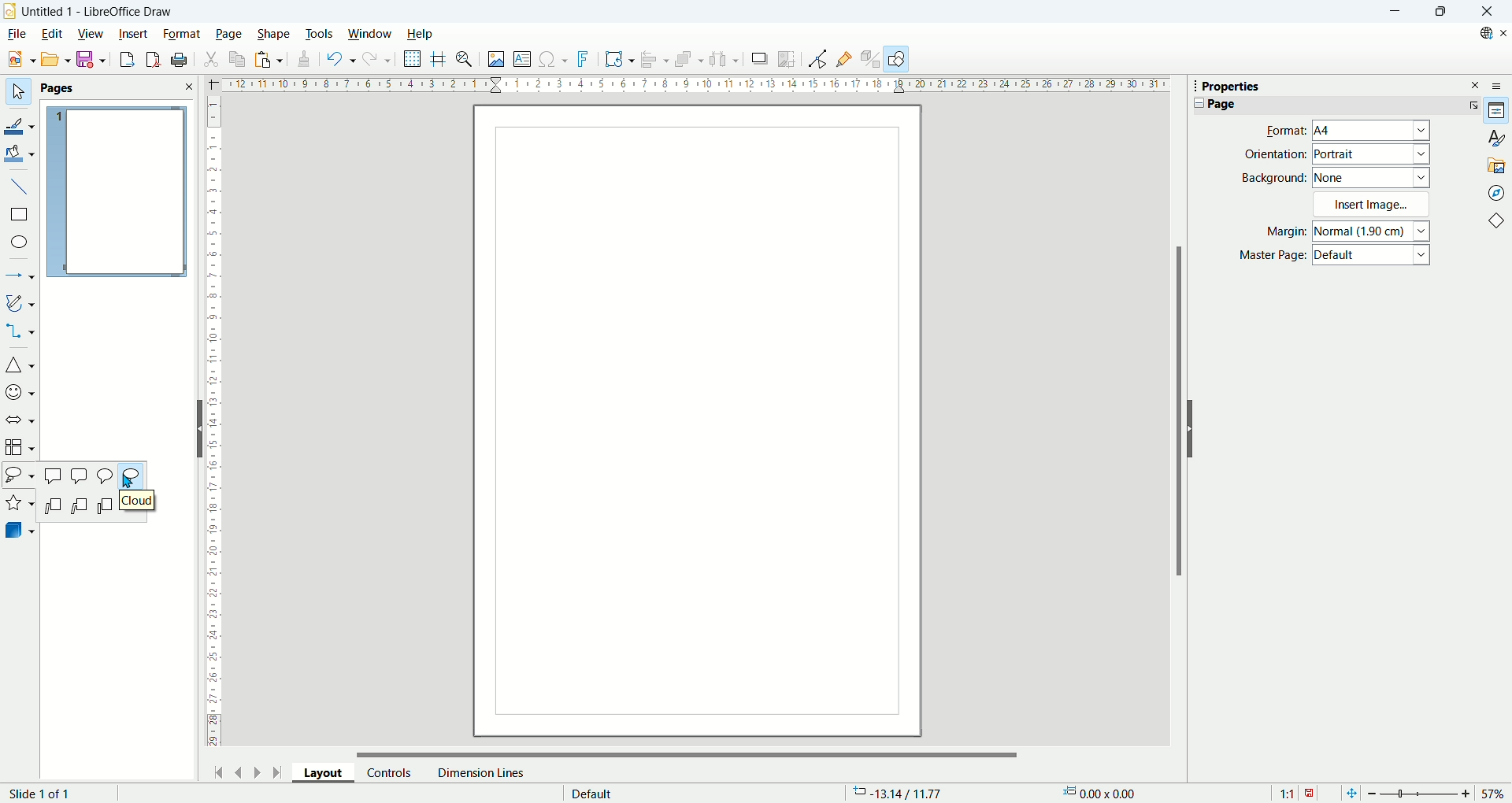 This screenshot has width=1512, height=803. I want to click on save, so click(91, 60).